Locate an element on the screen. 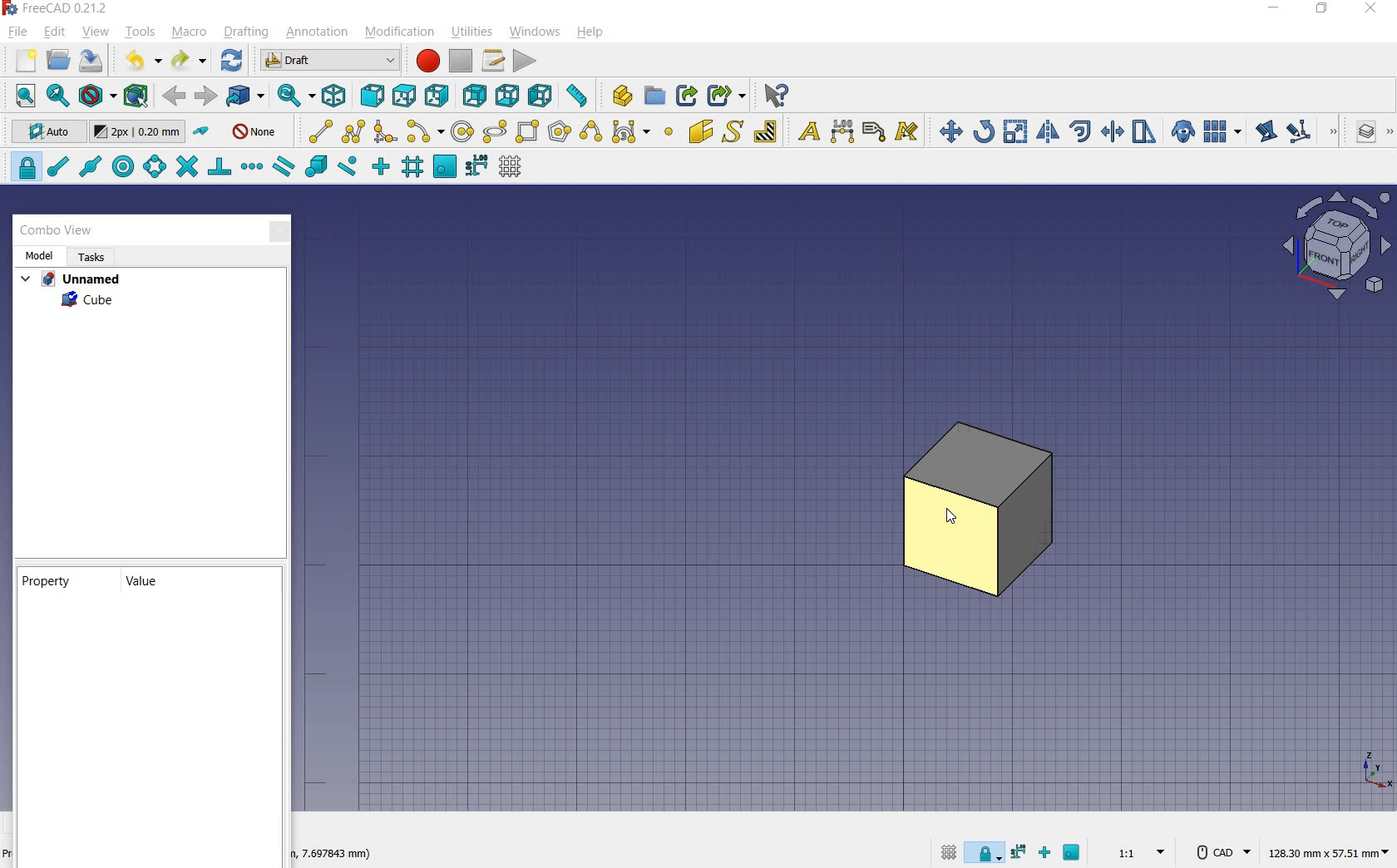  mirror is located at coordinates (1049, 131).